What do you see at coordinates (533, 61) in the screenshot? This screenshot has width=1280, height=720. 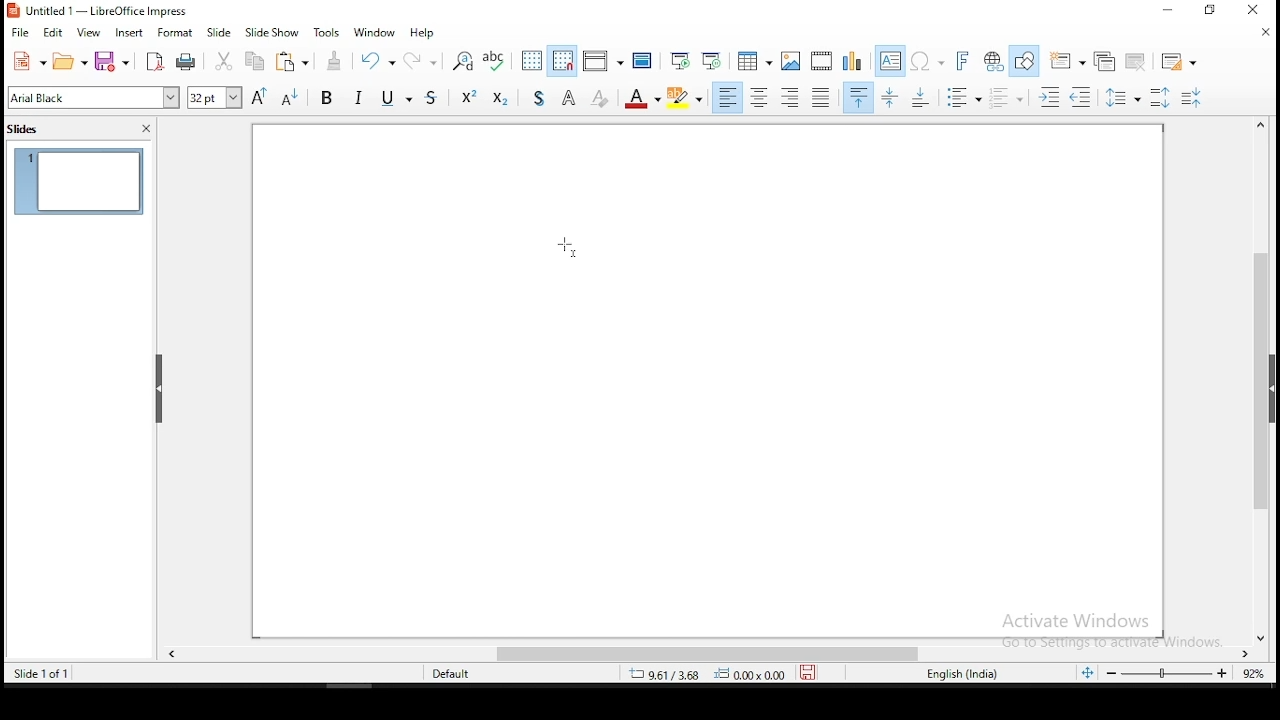 I see `display grid` at bounding box center [533, 61].